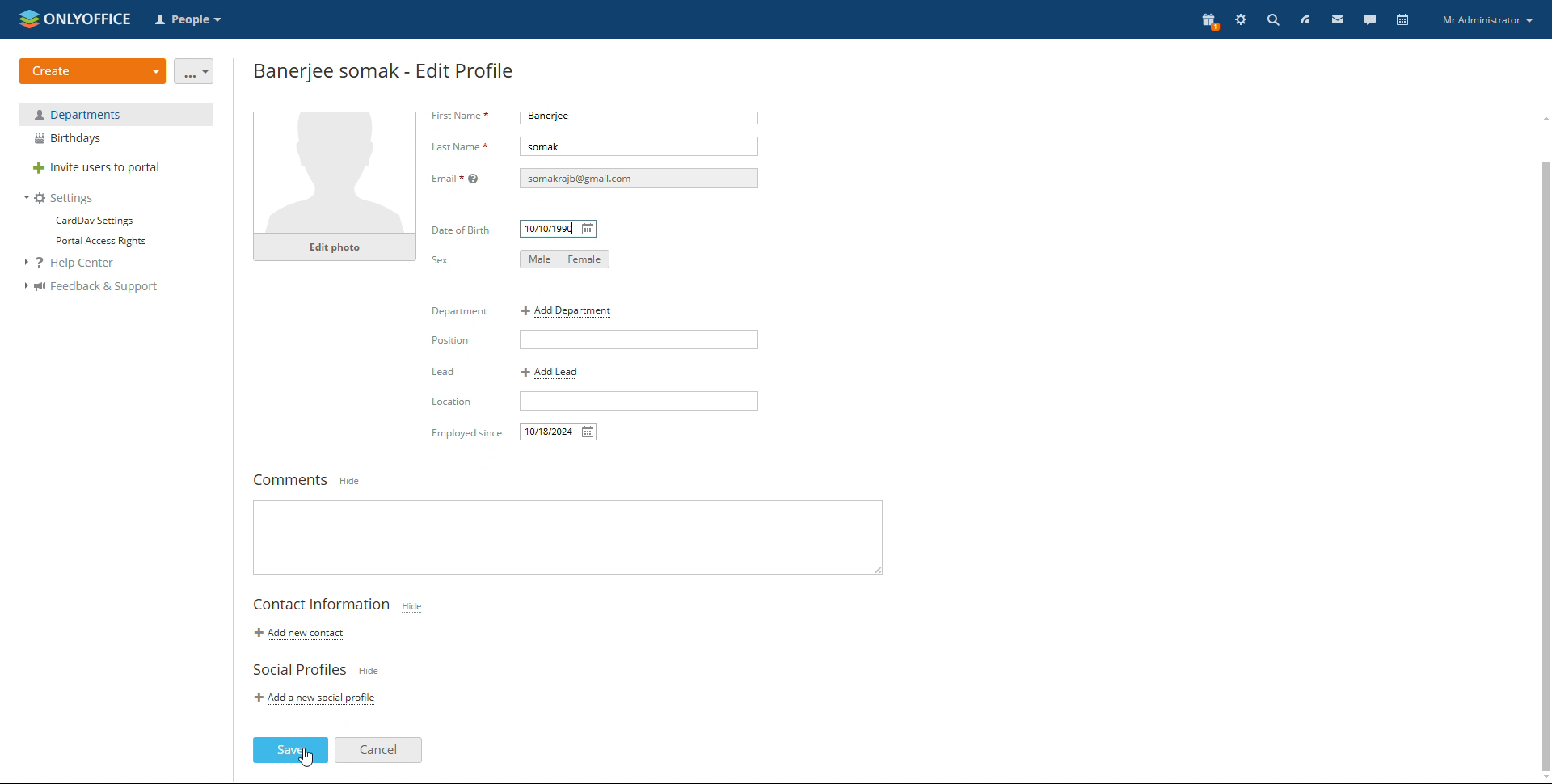 The width and height of the screenshot is (1552, 784). Describe the element at coordinates (298, 670) in the screenshot. I see `social profiles` at that location.